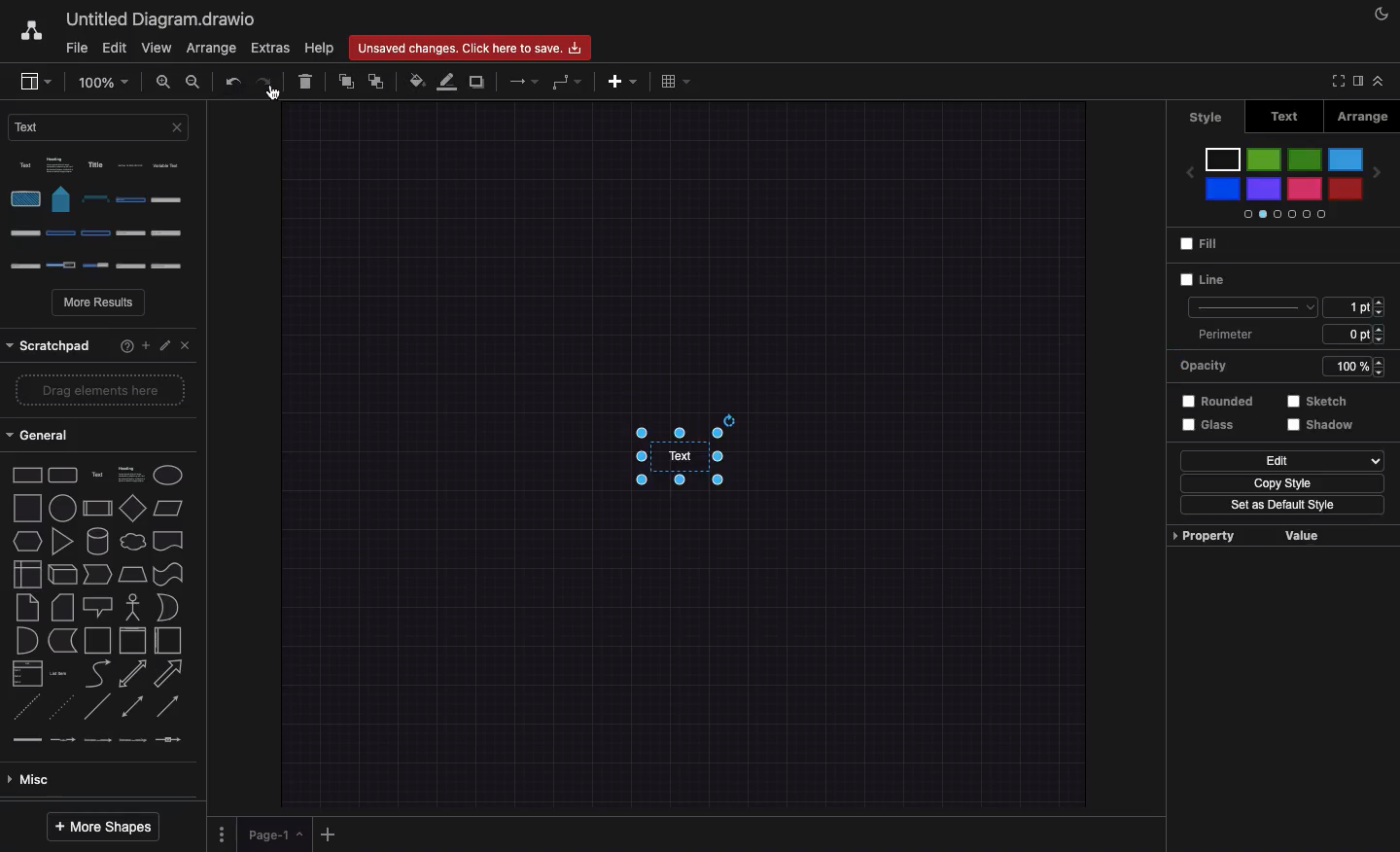 This screenshot has height=852, width=1400. Describe the element at coordinates (526, 81) in the screenshot. I see `Arrows` at that location.